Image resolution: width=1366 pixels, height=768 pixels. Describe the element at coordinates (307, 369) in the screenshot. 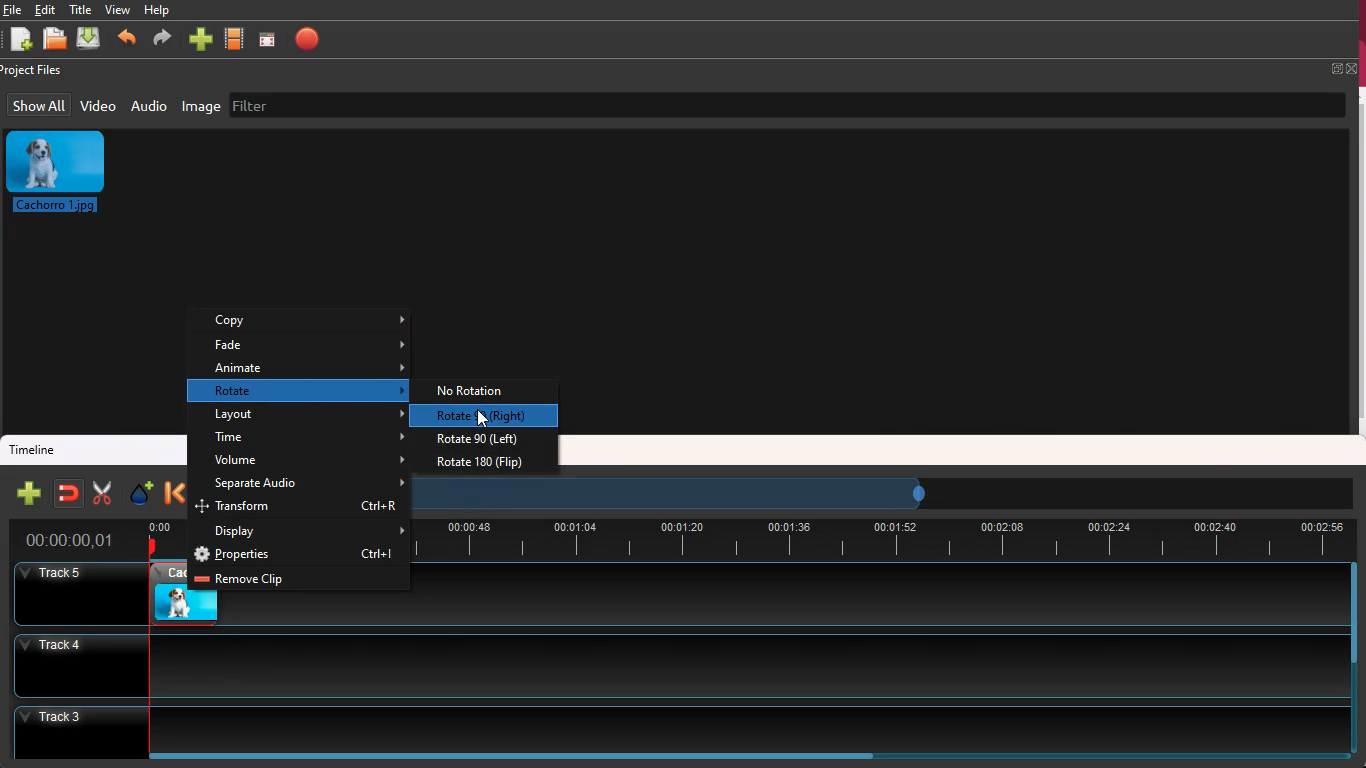

I see `animate` at that location.